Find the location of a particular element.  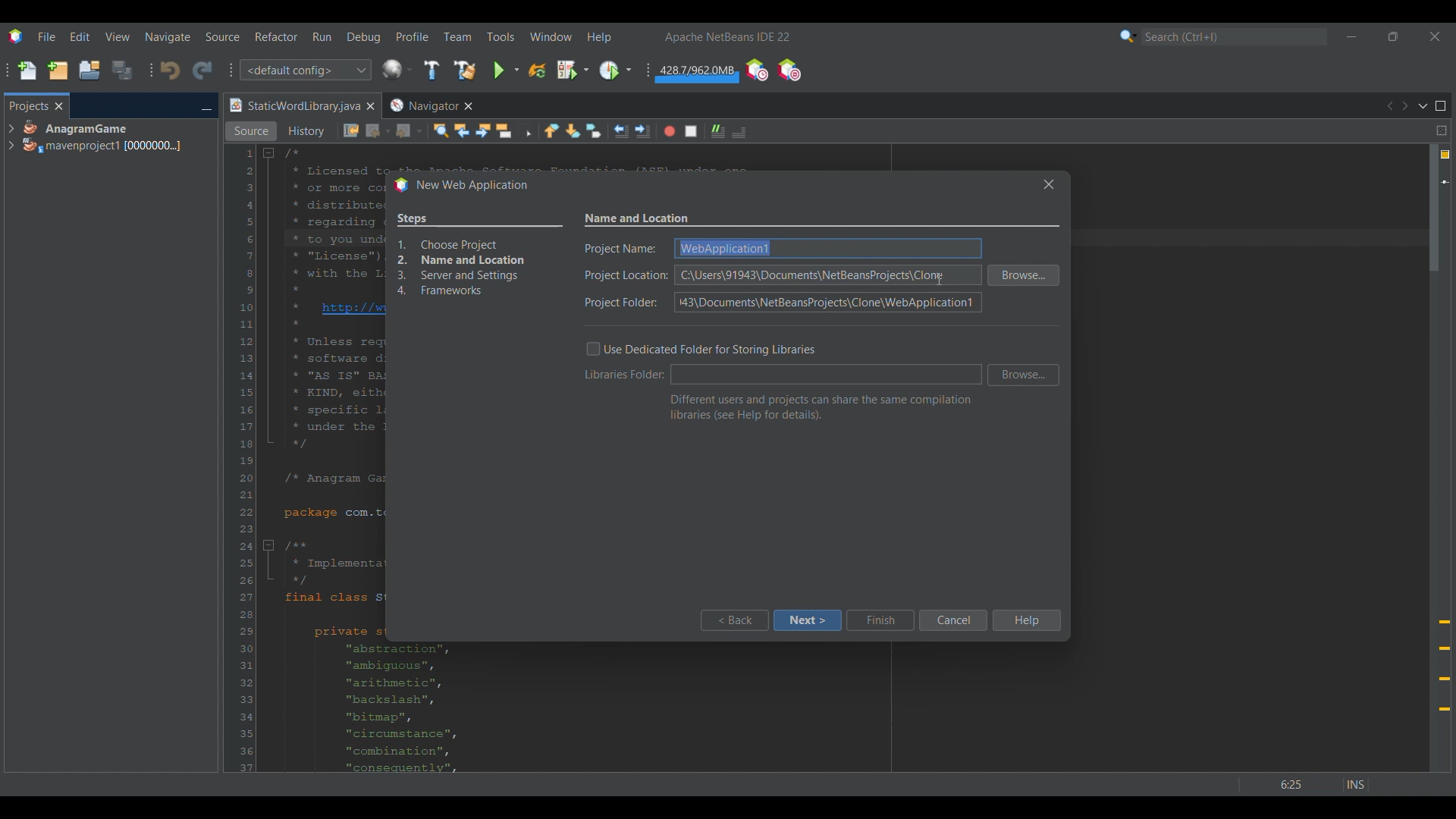

Debug main project options is located at coordinates (573, 69).